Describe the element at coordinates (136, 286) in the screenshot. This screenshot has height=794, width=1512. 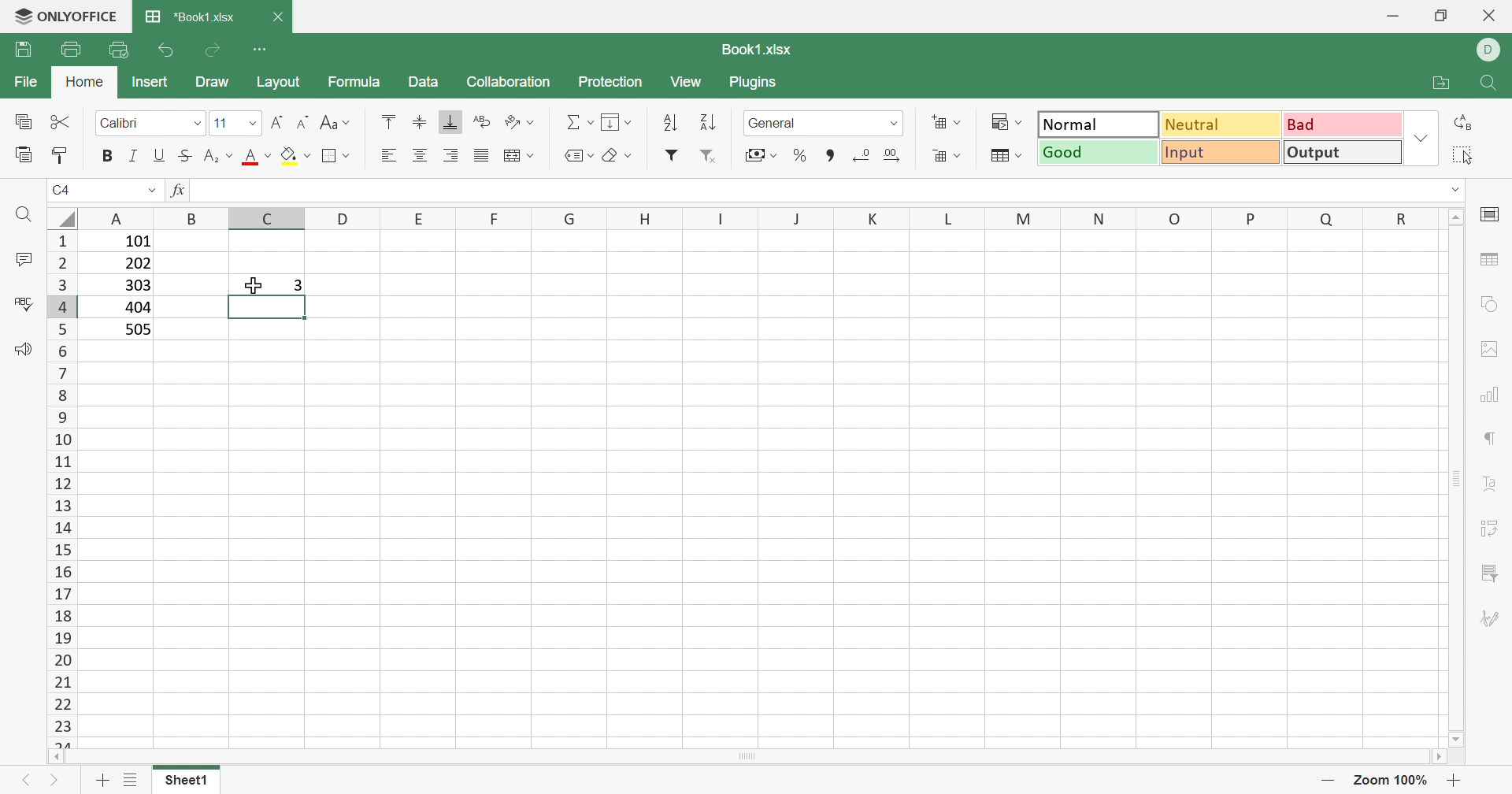
I see `303` at that location.